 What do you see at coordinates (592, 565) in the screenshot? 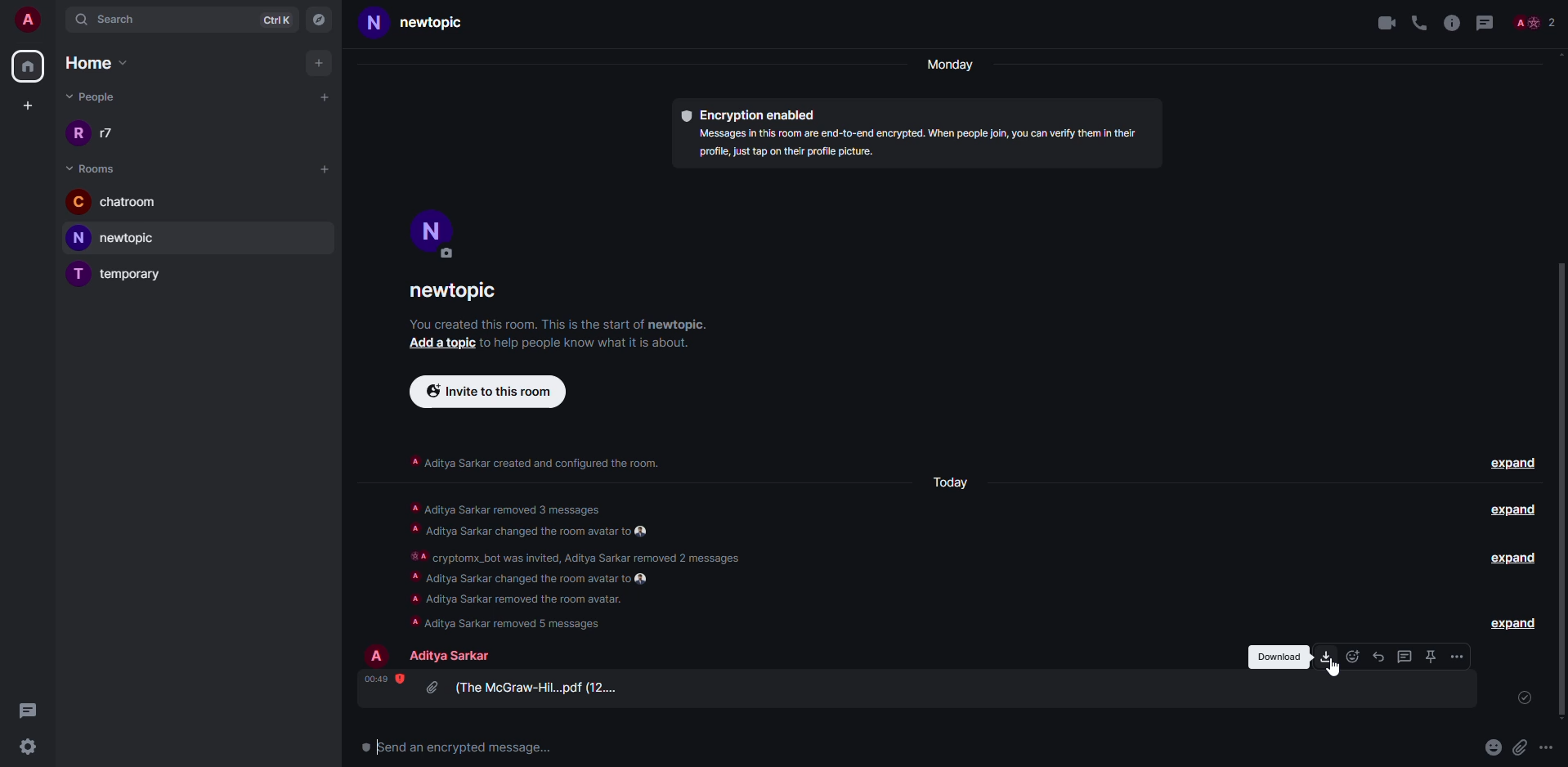
I see `info` at bounding box center [592, 565].